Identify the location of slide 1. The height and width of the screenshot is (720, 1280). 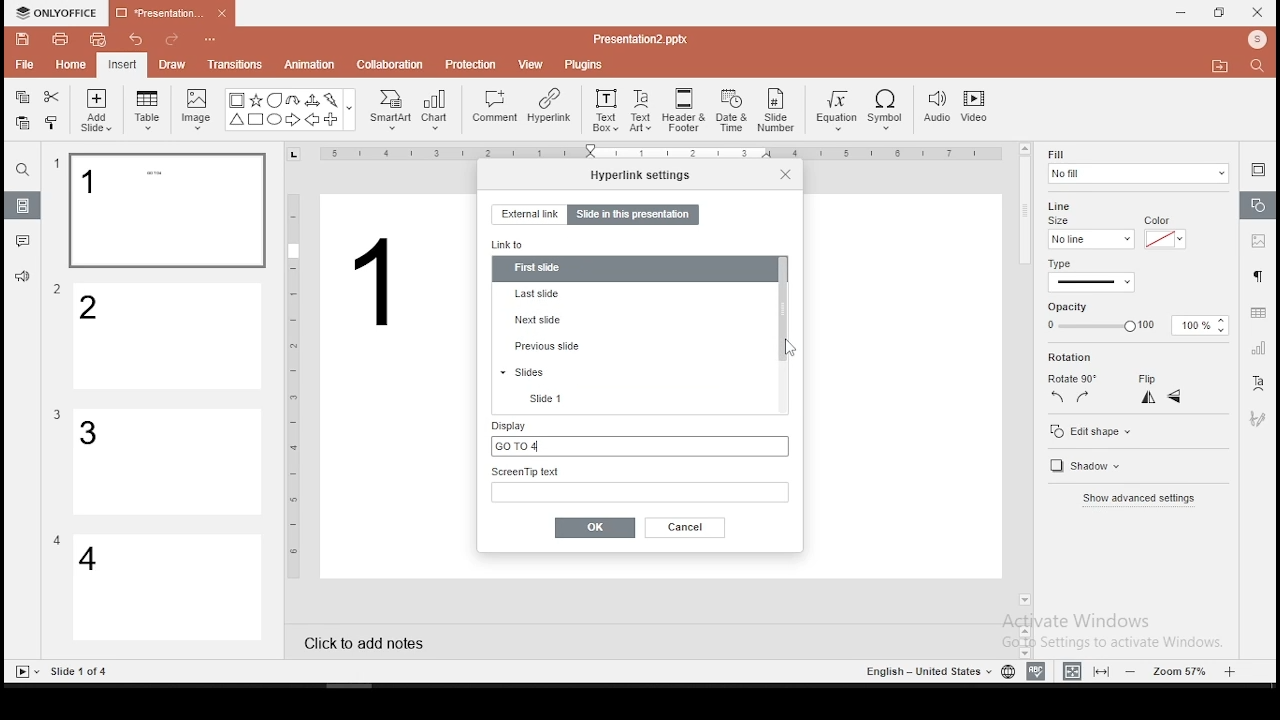
(166, 211).